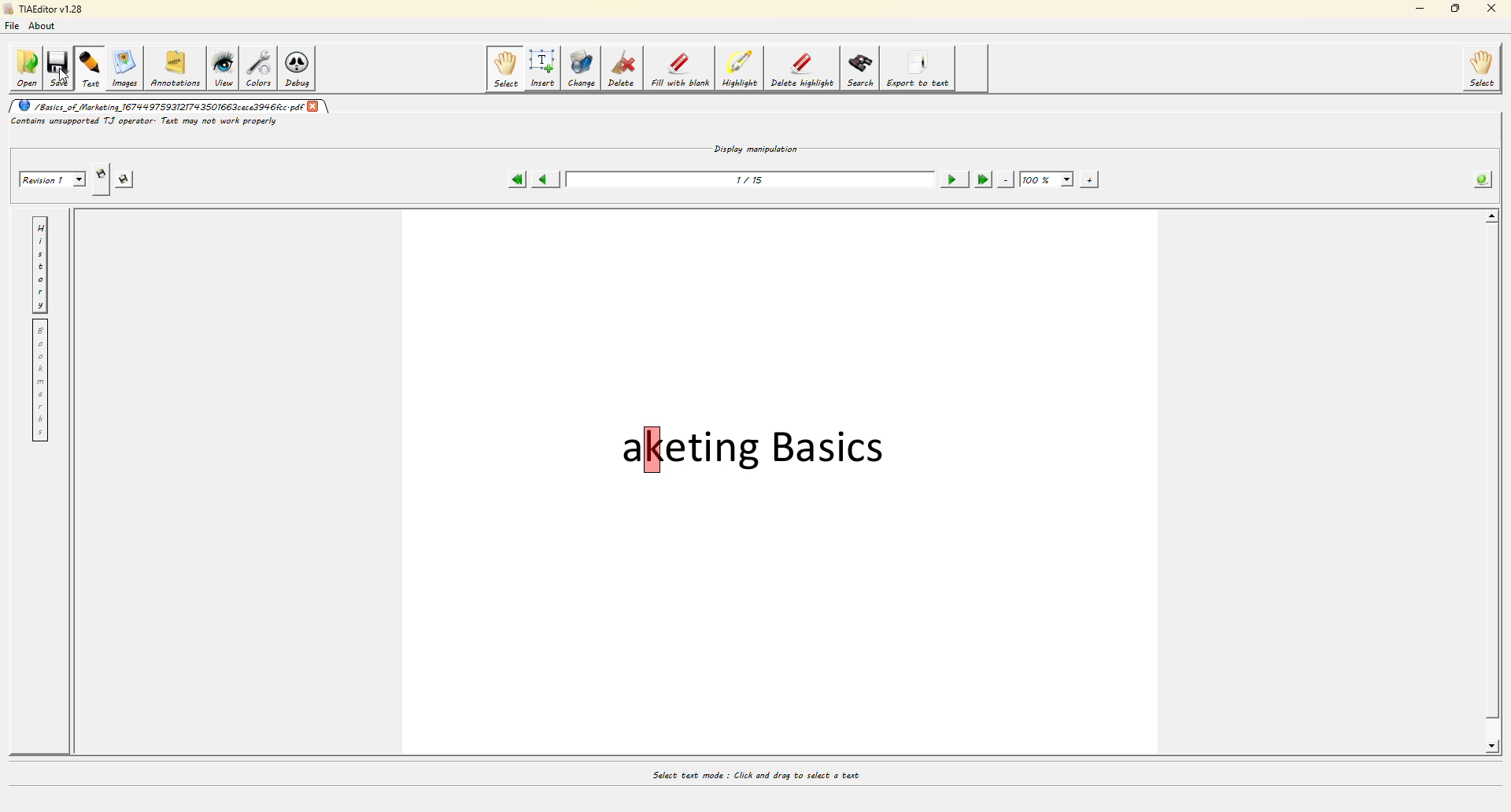 Image resolution: width=1511 pixels, height=812 pixels. What do you see at coordinates (751, 179) in the screenshot?
I see `page number` at bounding box center [751, 179].